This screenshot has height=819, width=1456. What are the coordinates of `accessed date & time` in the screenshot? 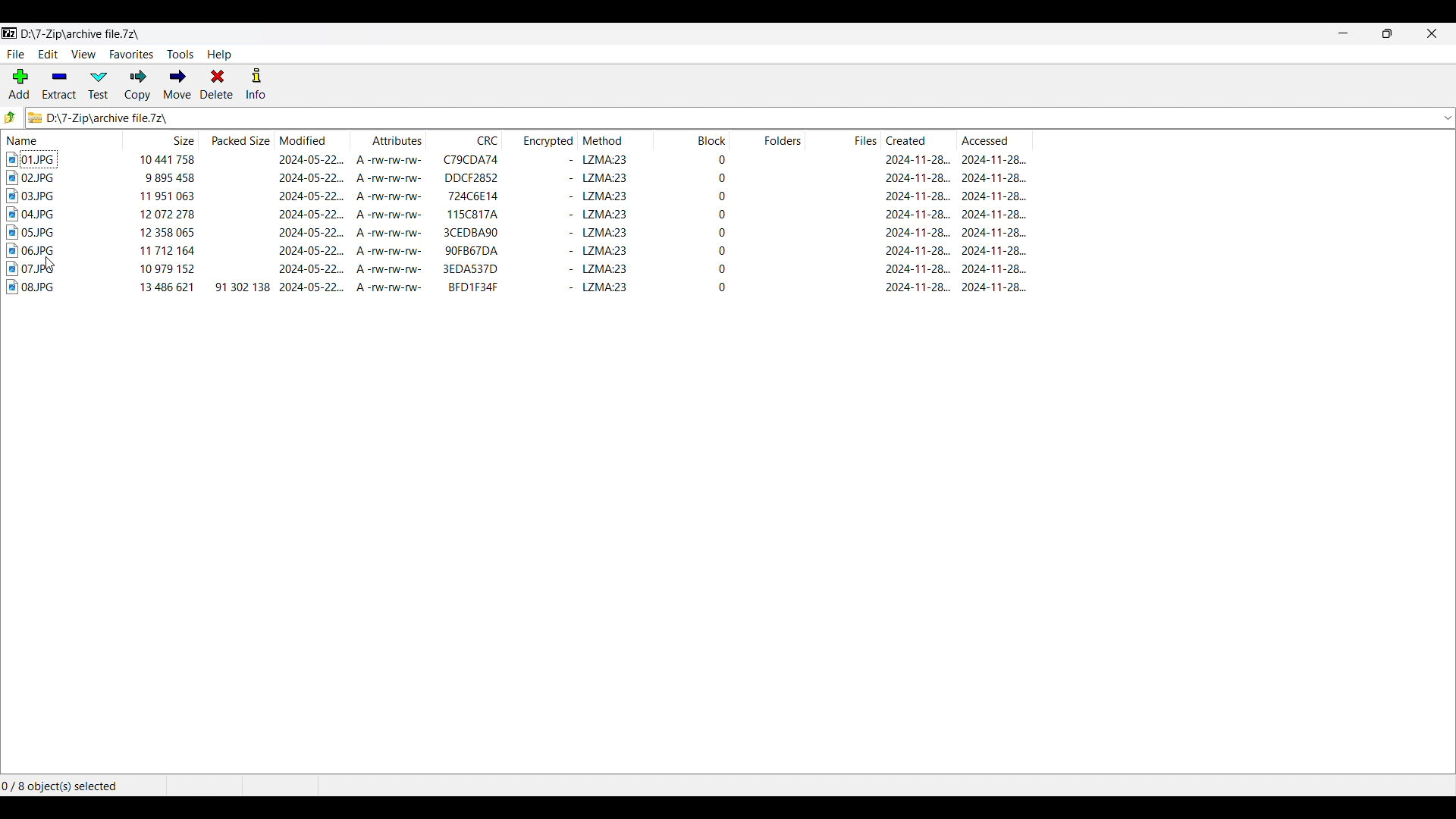 It's located at (995, 215).